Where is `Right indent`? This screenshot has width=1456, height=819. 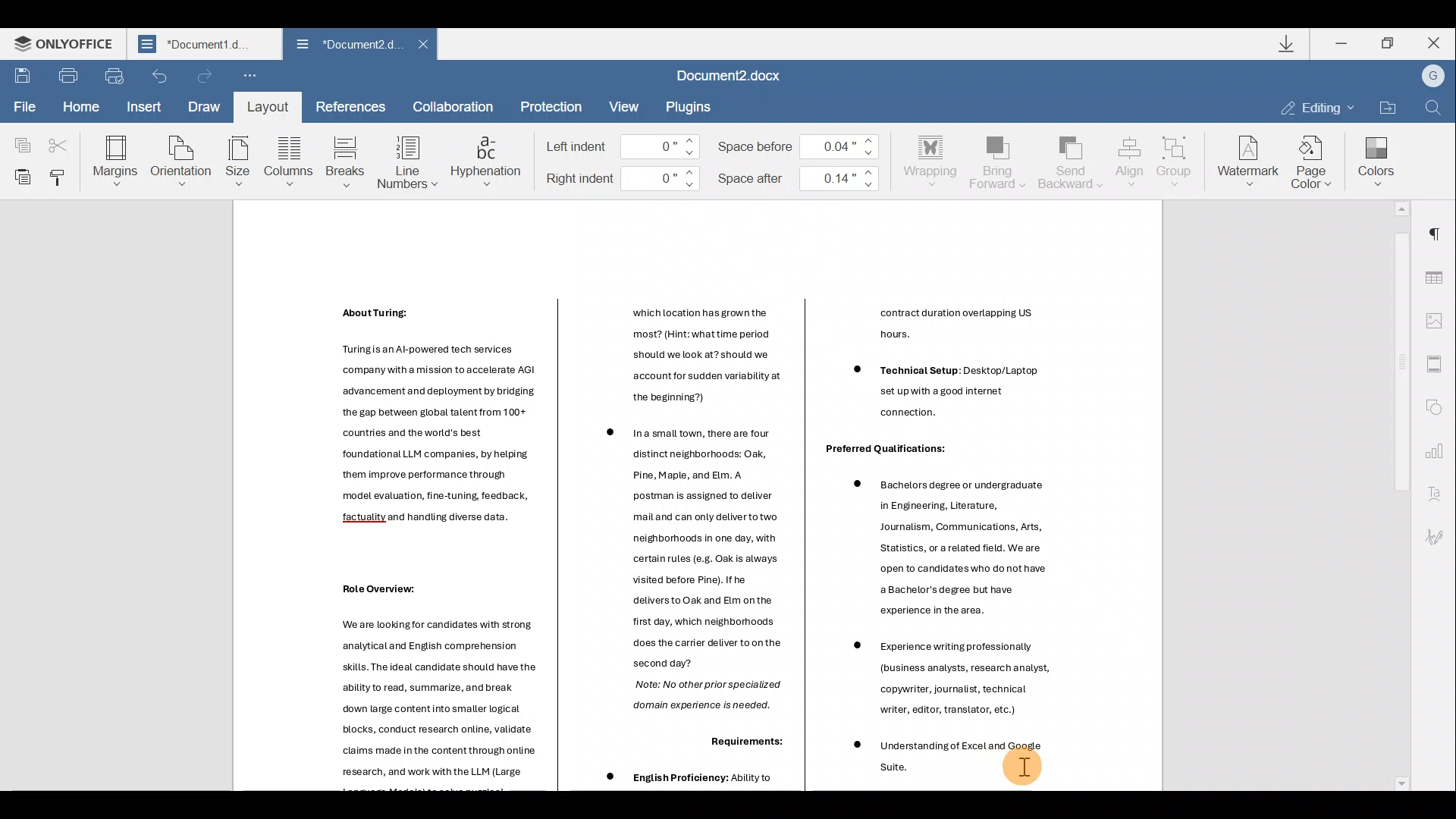 Right indent is located at coordinates (623, 180).